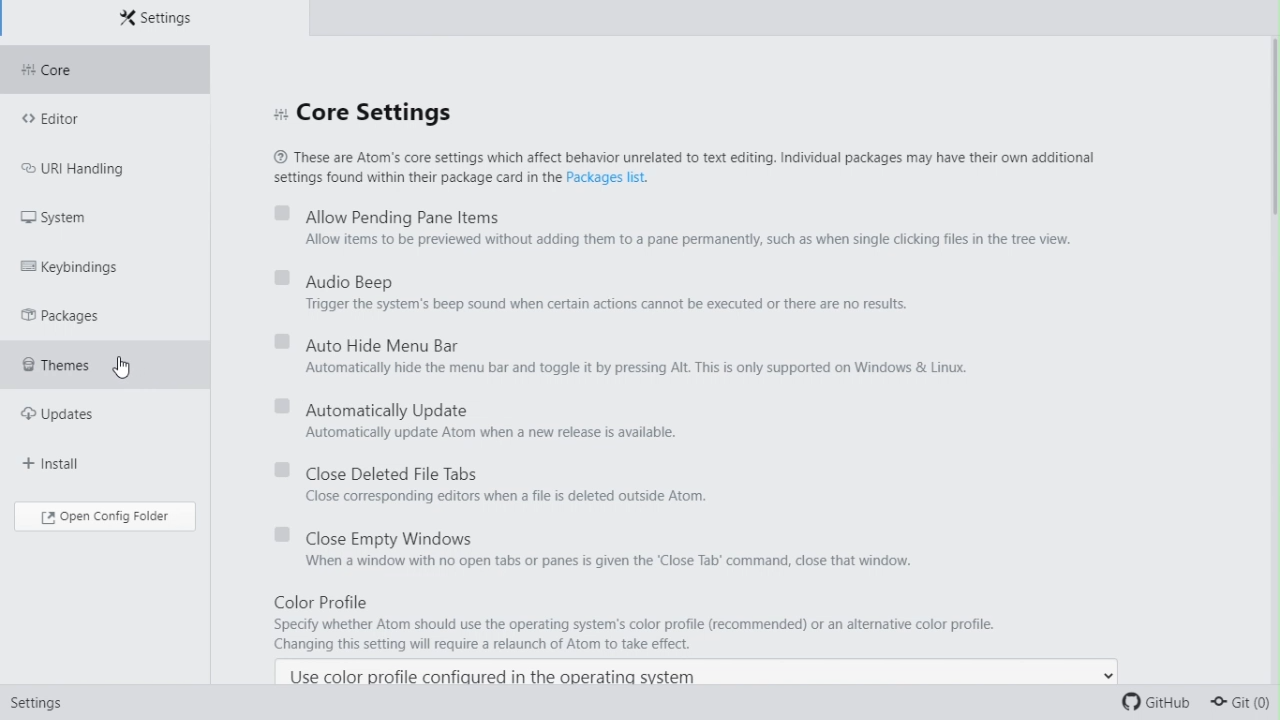  What do you see at coordinates (1153, 701) in the screenshot?
I see `github` at bounding box center [1153, 701].